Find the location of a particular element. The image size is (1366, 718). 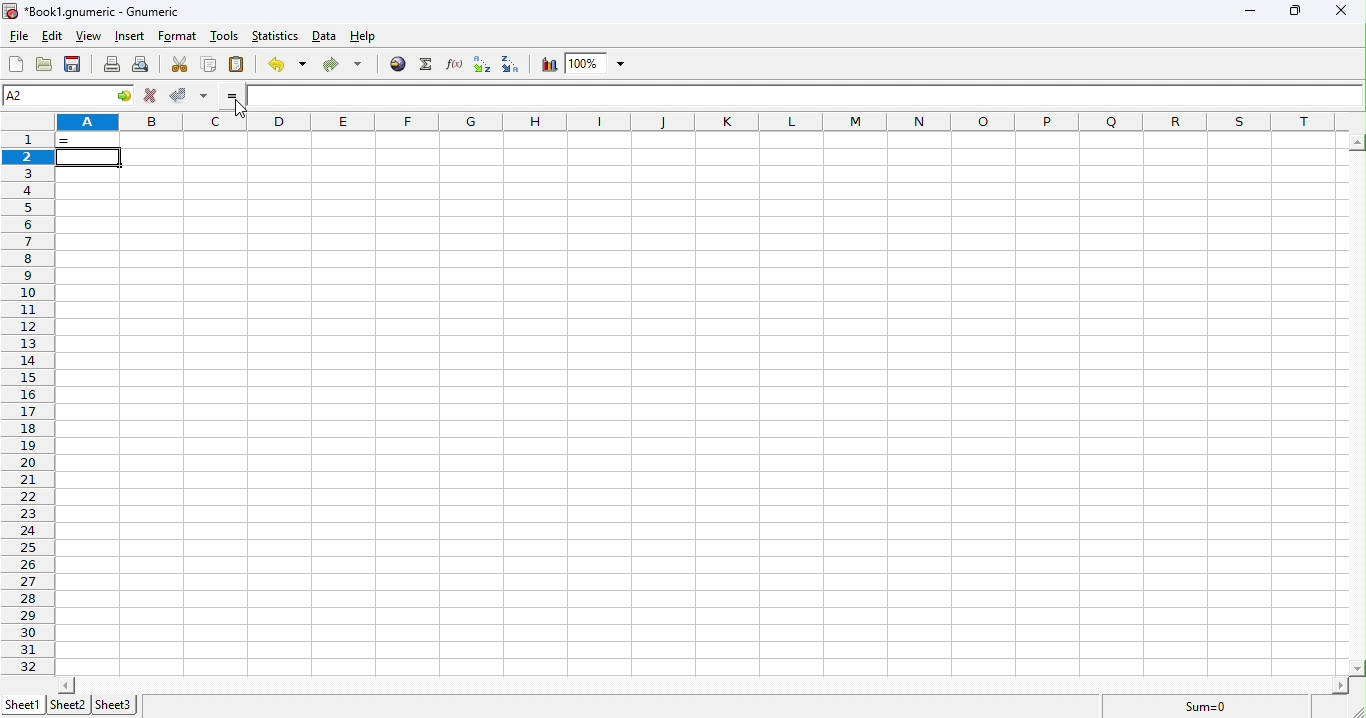

reject is located at coordinates (153, 96).